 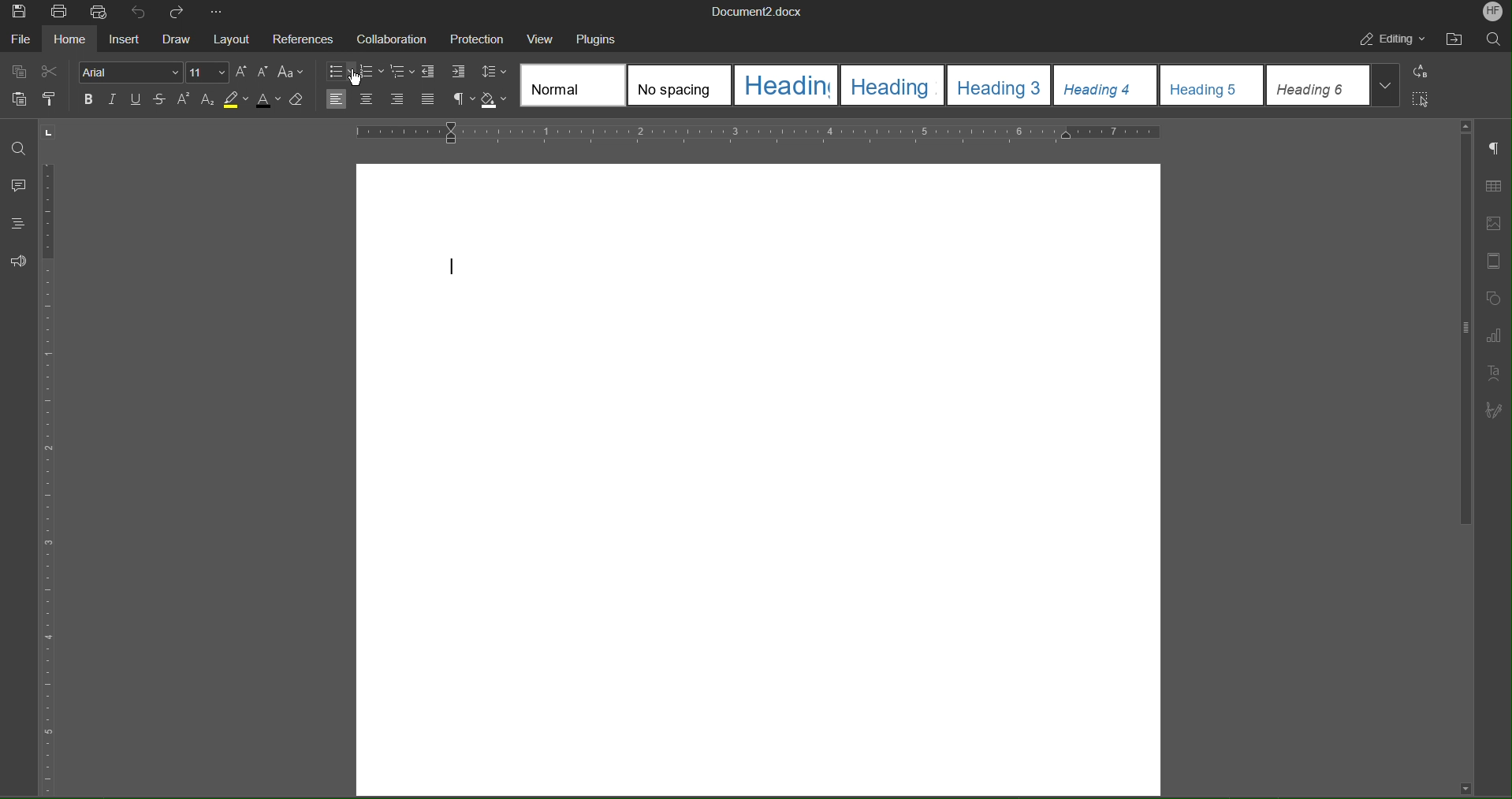 What do you see at coordinates (114, 99) in the screenshot?
I see `Italics` at bounding box center [114, 99].